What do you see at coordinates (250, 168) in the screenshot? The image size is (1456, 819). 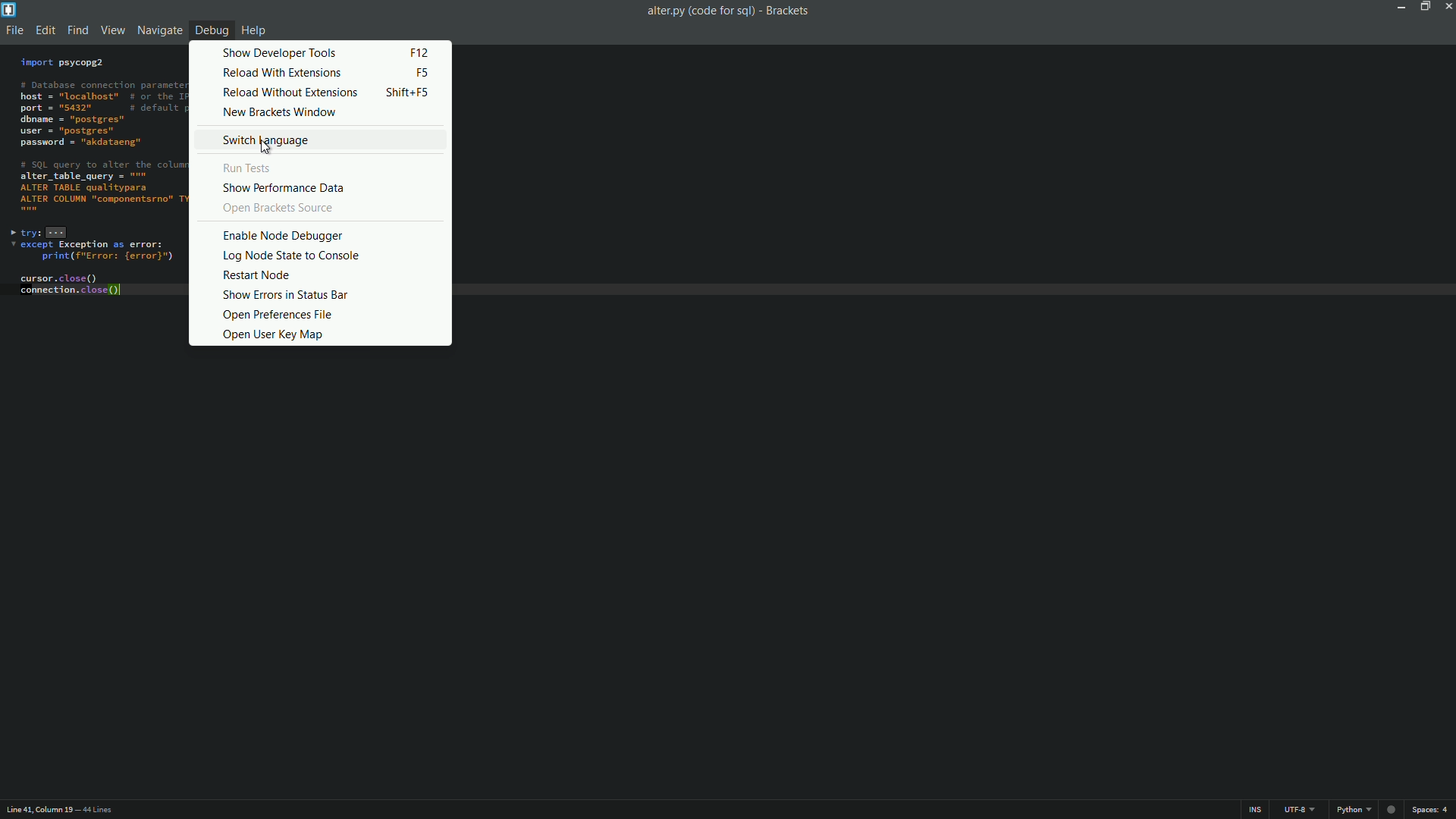 I see `run test` at bounding box center [250, 168].